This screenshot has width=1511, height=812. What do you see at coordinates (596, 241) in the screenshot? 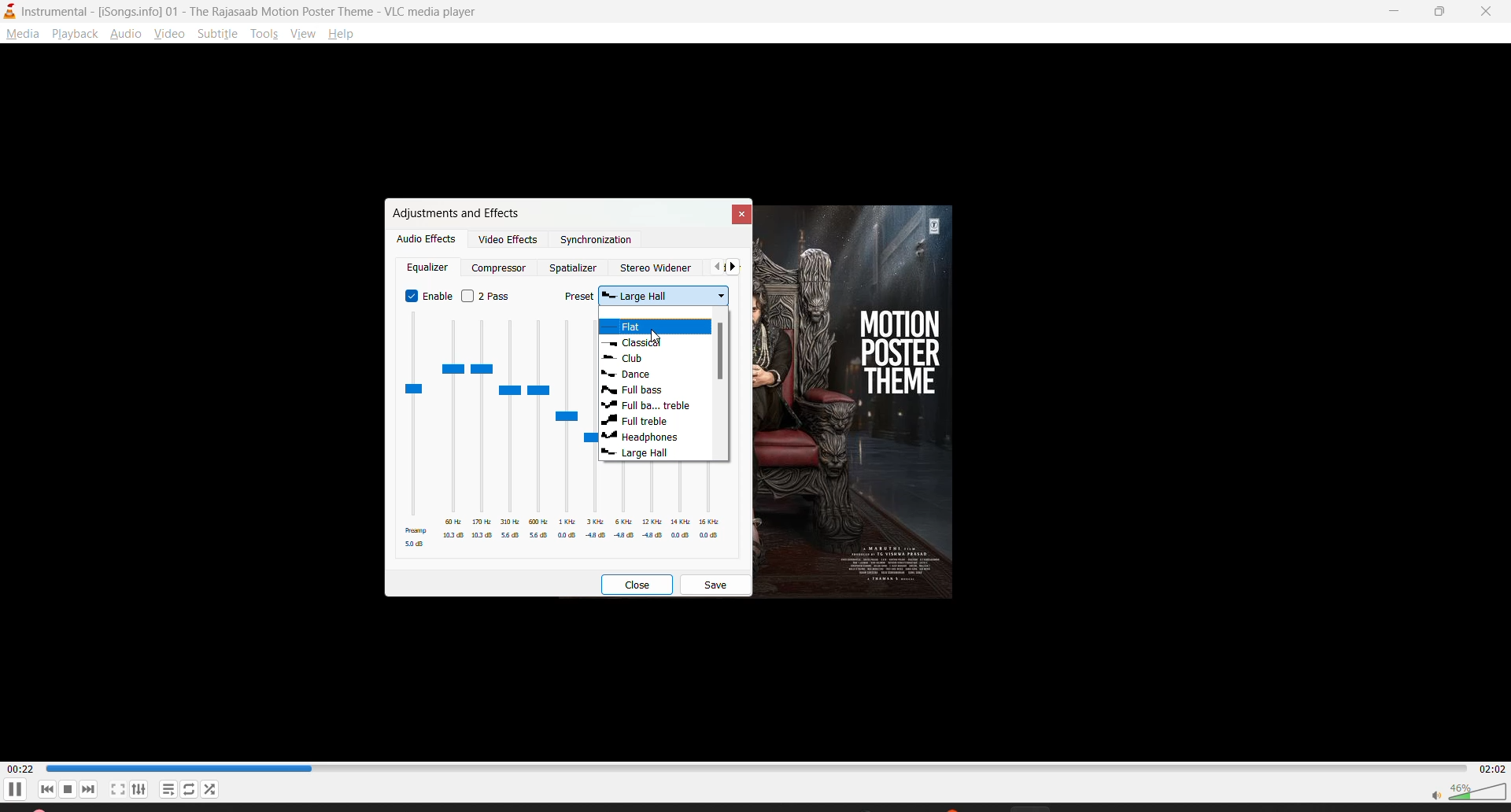
I see `synchronization` at bounding box center [596, 241].